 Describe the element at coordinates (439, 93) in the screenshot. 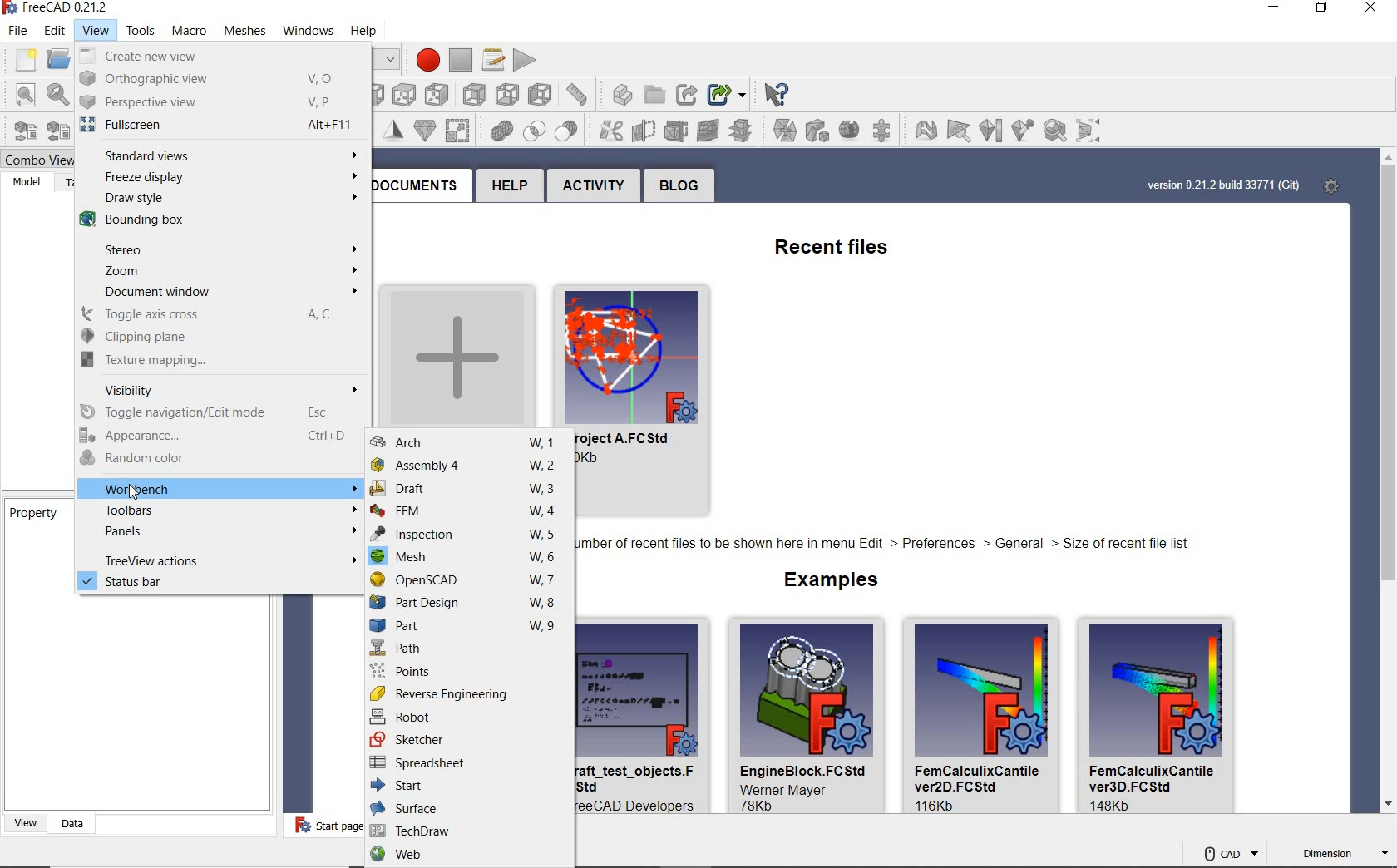

I see `rear` at that location.